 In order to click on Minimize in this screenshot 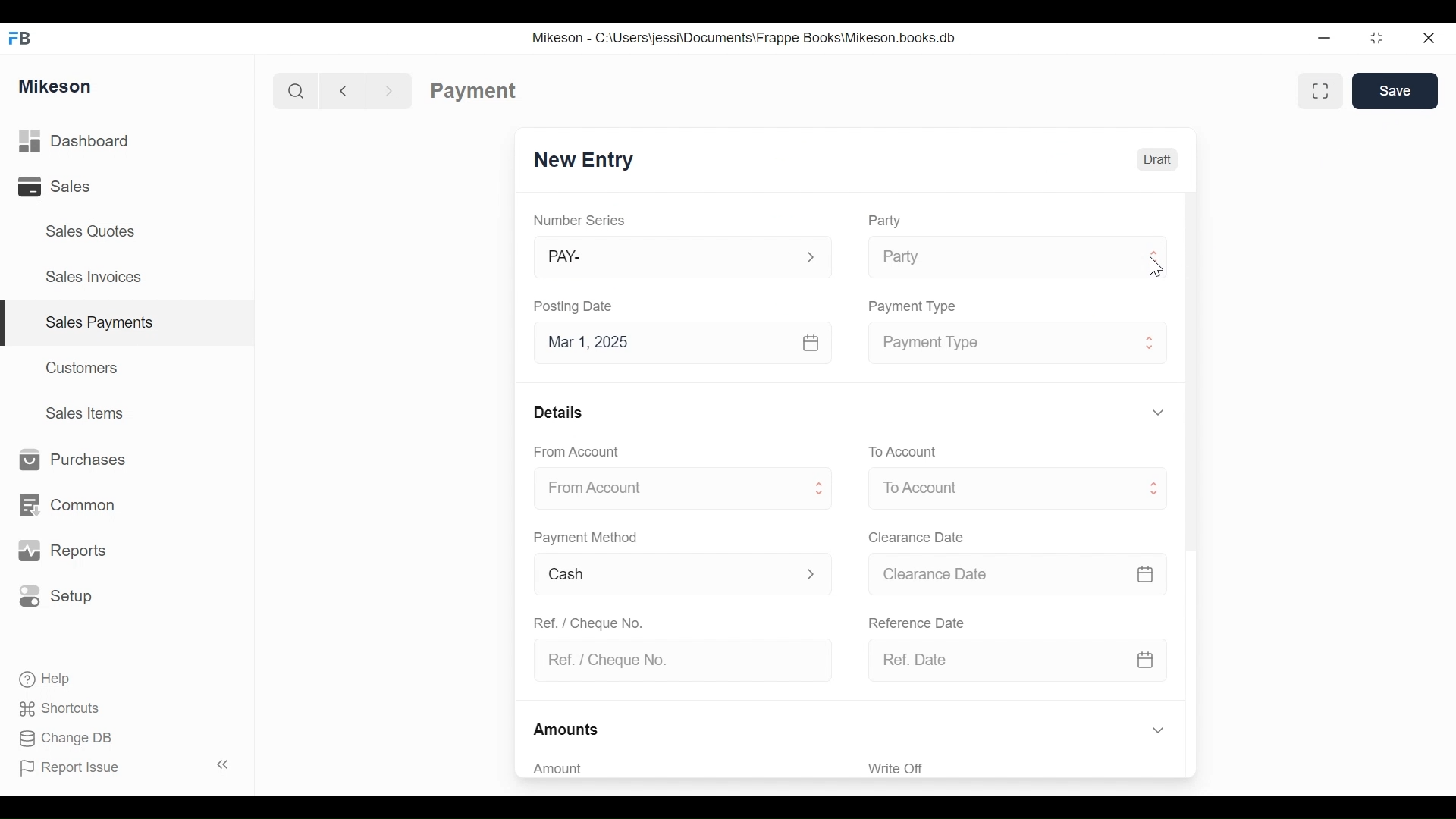, I will do `click(1324, 40)`.